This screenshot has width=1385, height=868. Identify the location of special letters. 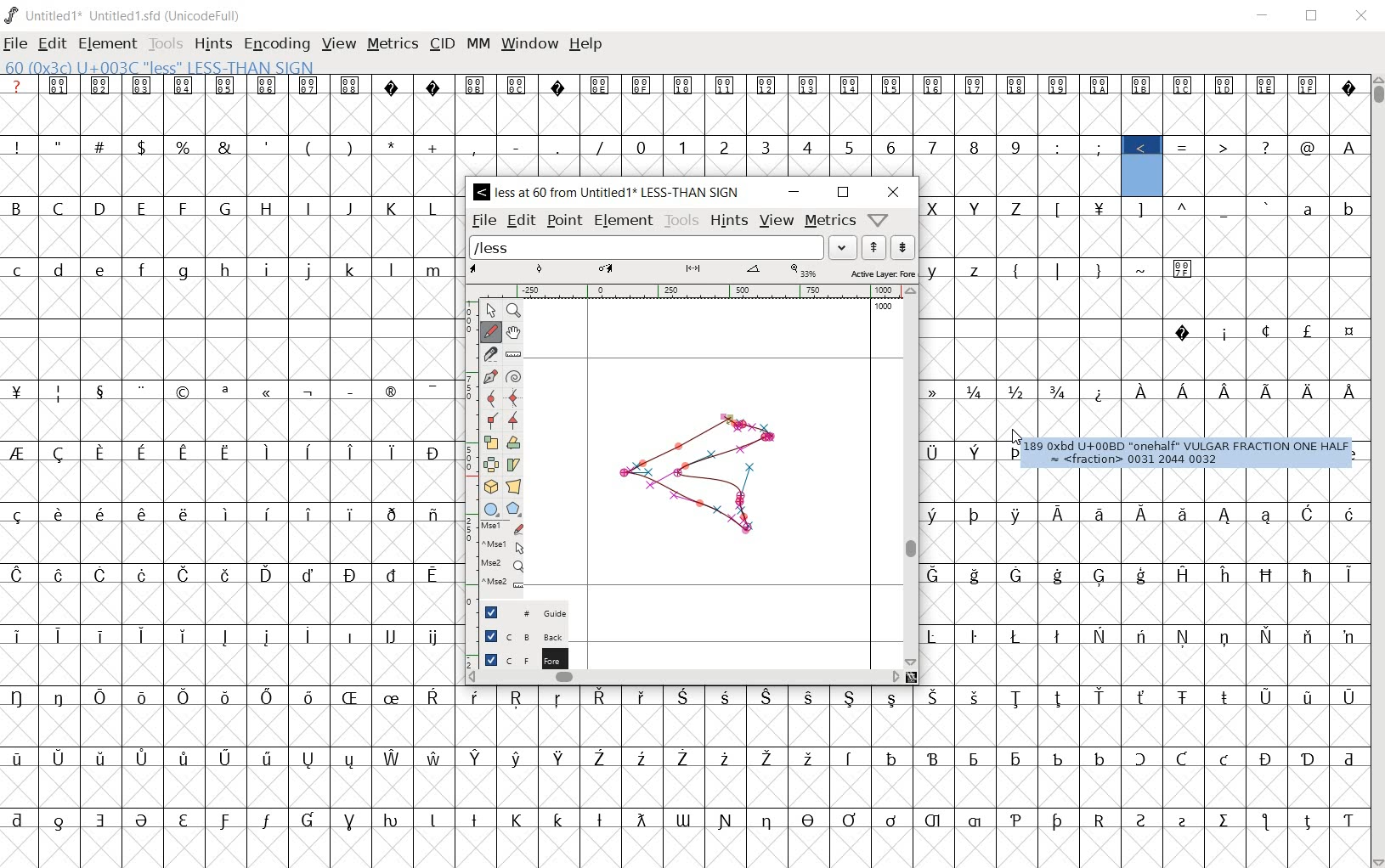
(1144, 513).